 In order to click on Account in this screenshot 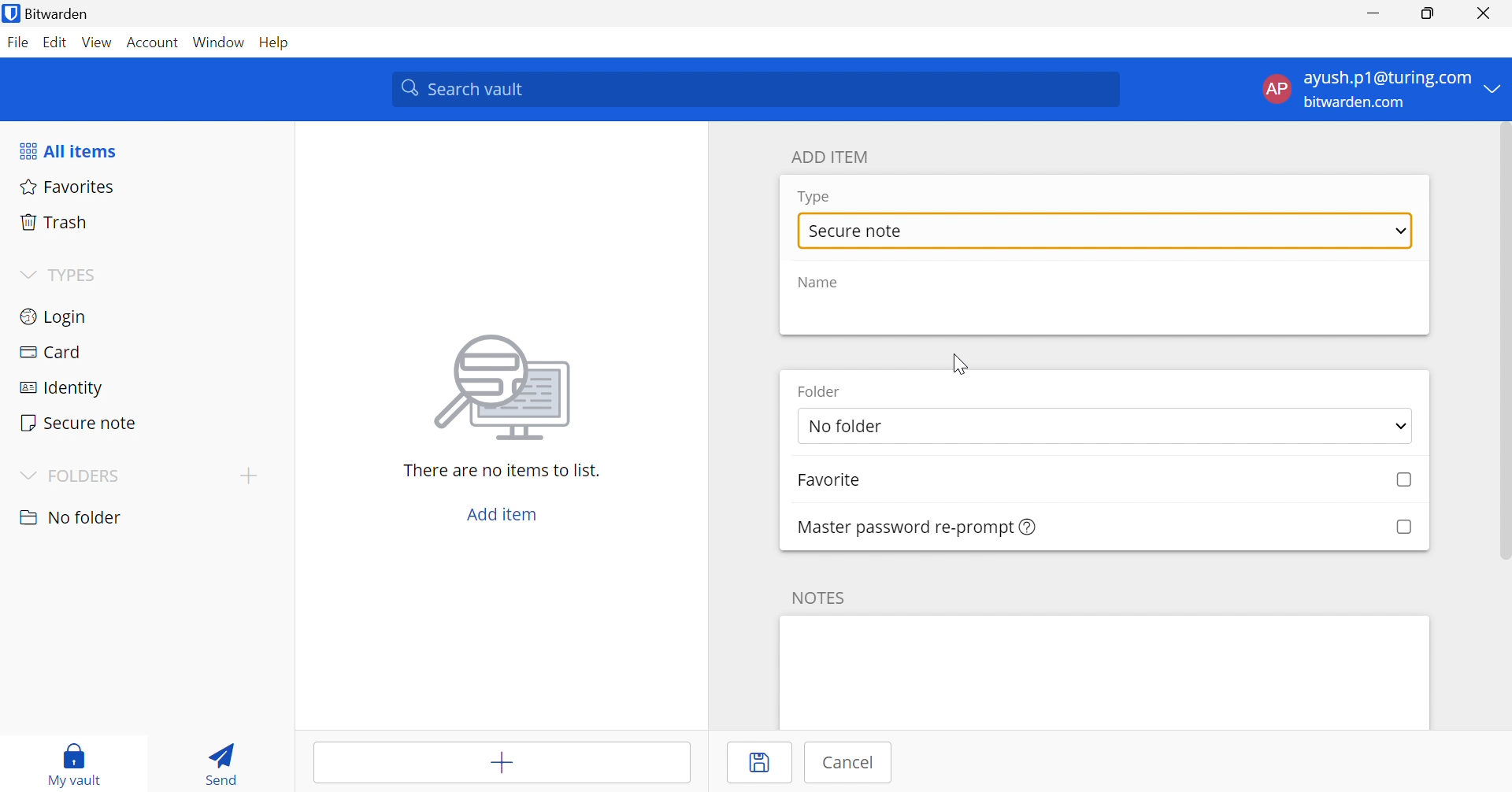, I will do `click(154, 41)`.